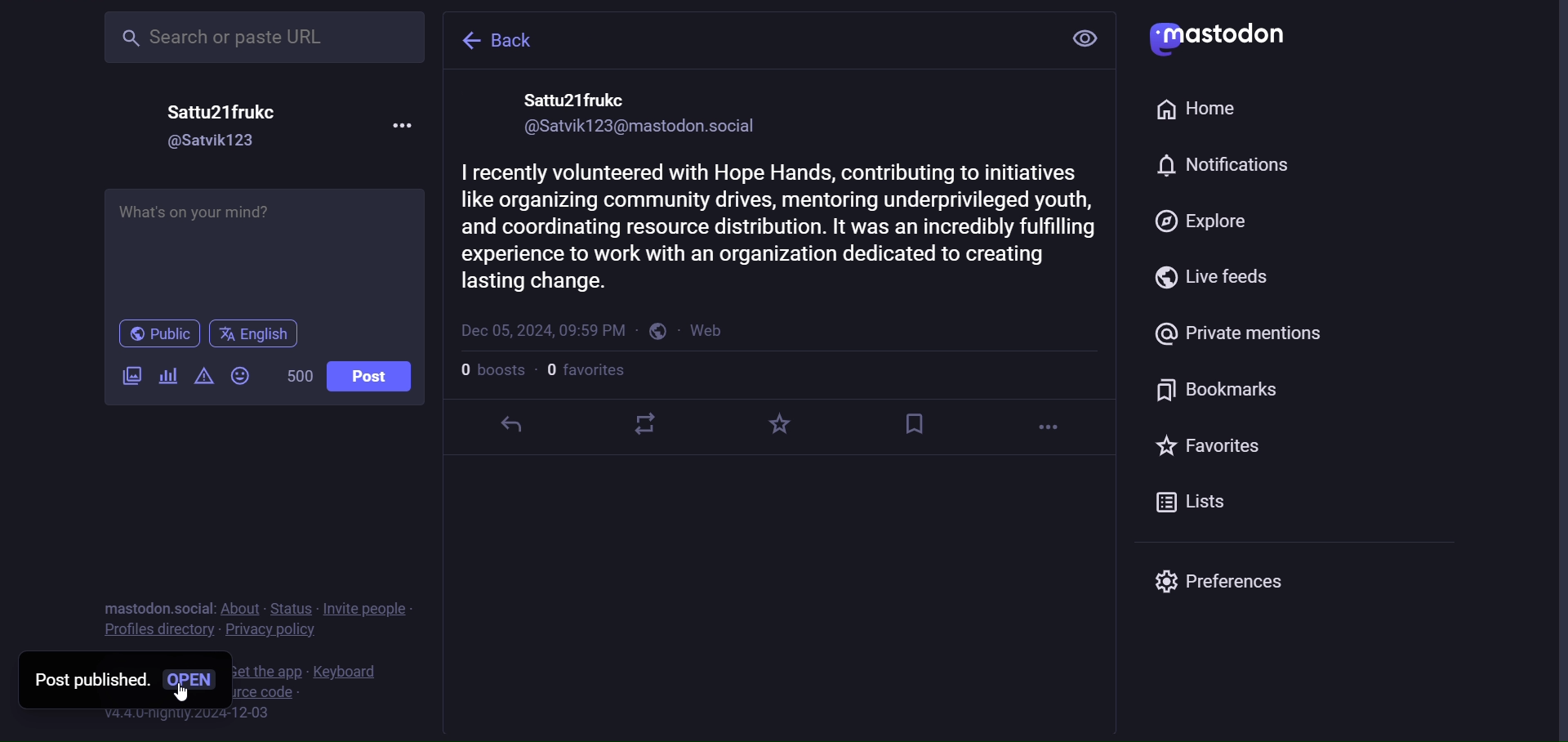 The height and width of the screenshot is (742, 1568). What do you see at coordinates (649, 425) in the screenshot?
I see `boost` at bounding box center [649, 425].